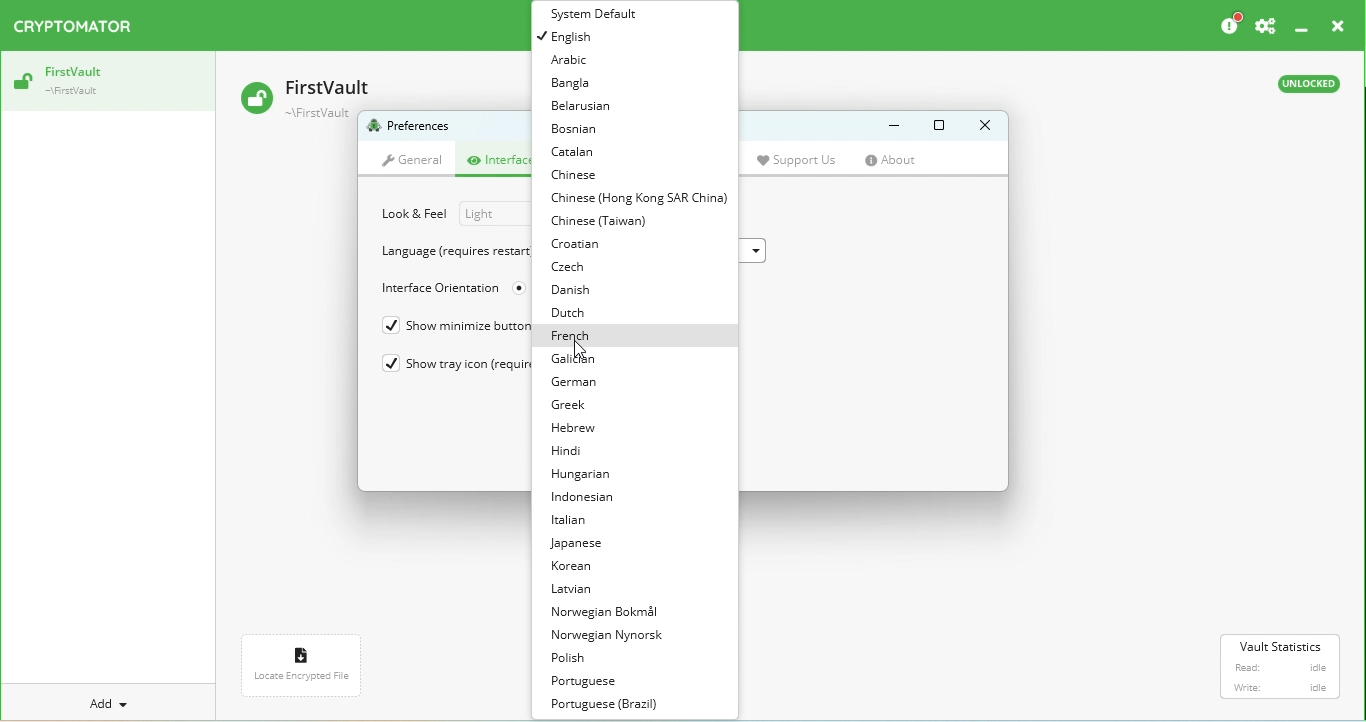 This screenshot has width=1366, height=722. I want to click on Arabic, so click(572, 62).